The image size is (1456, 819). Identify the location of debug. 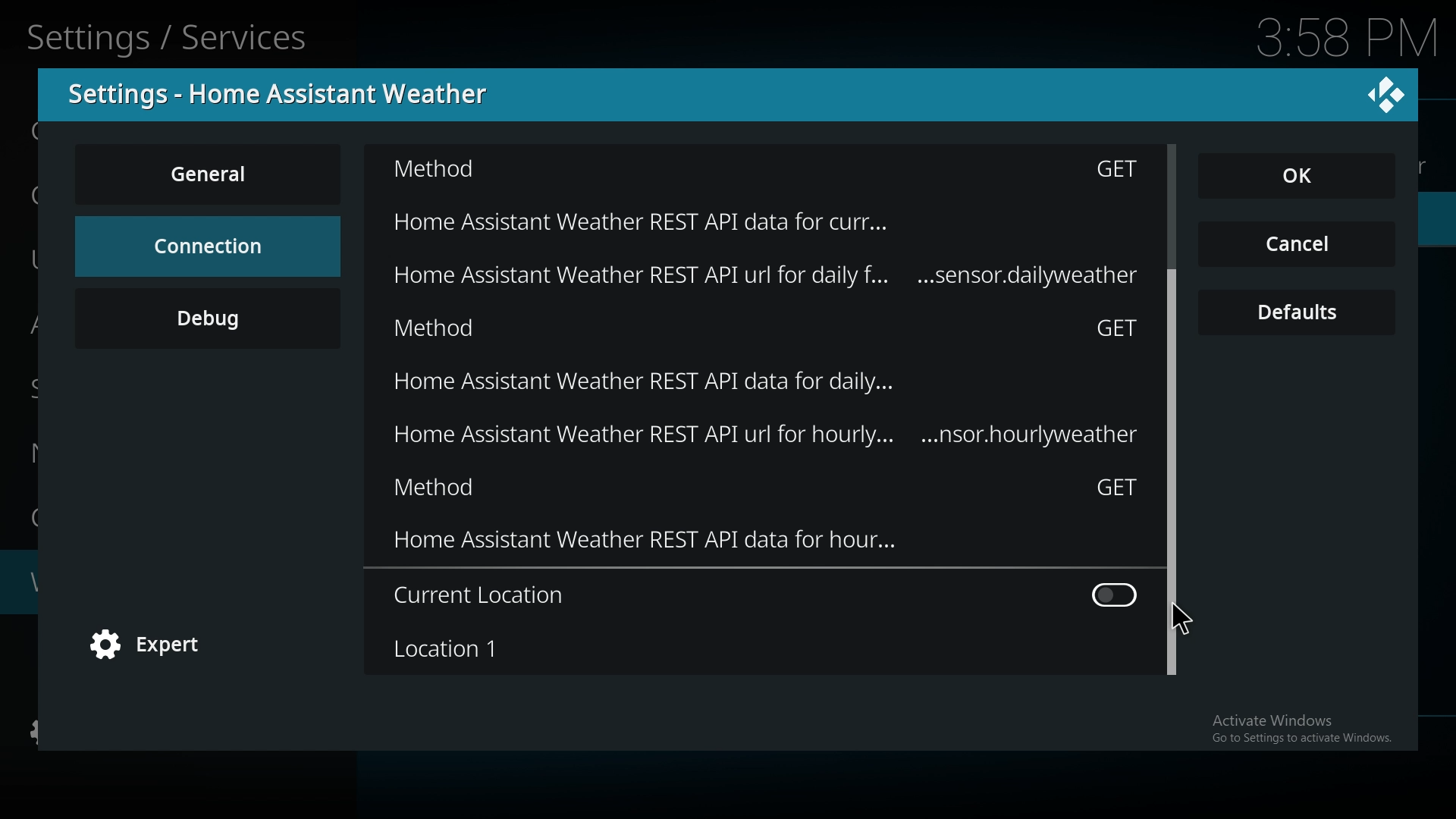
(208, 318).